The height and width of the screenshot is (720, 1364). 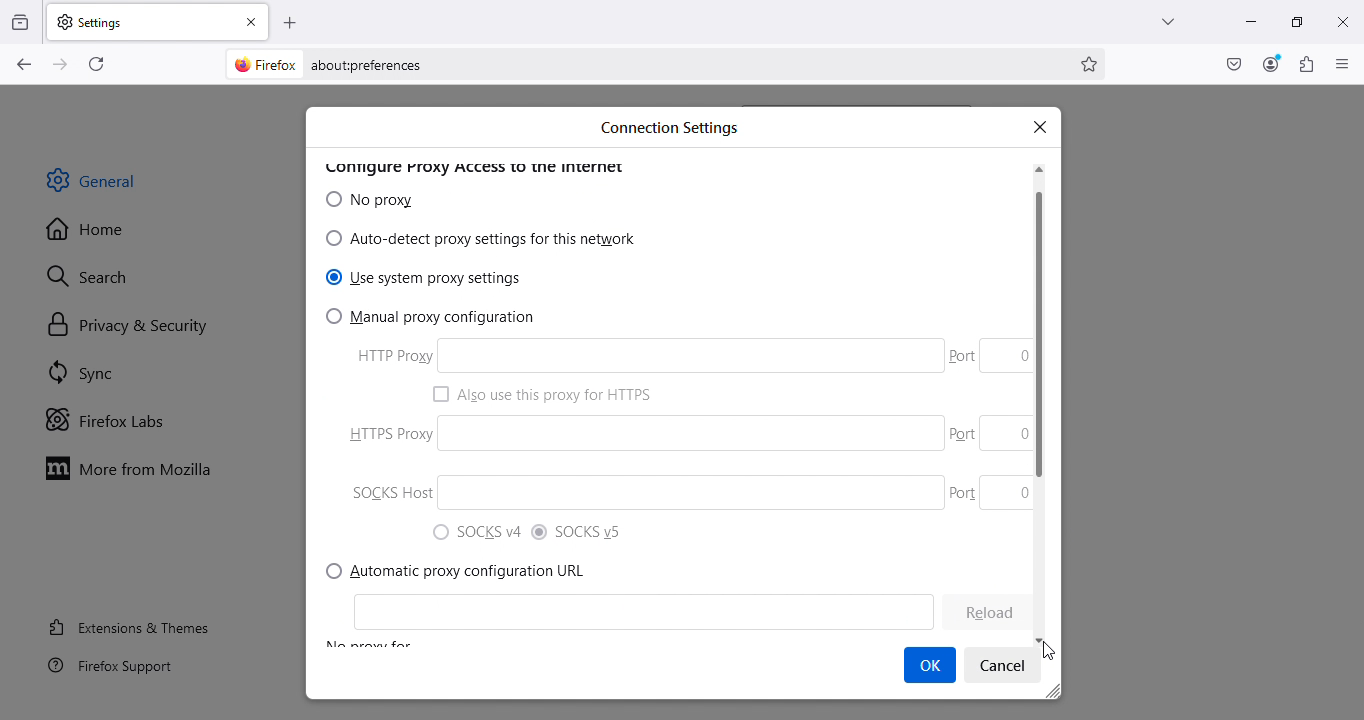 What do you see at coordinates (126, 325) in the screenshot?
I see `Privacy and security` at bounding box center [126, 325].